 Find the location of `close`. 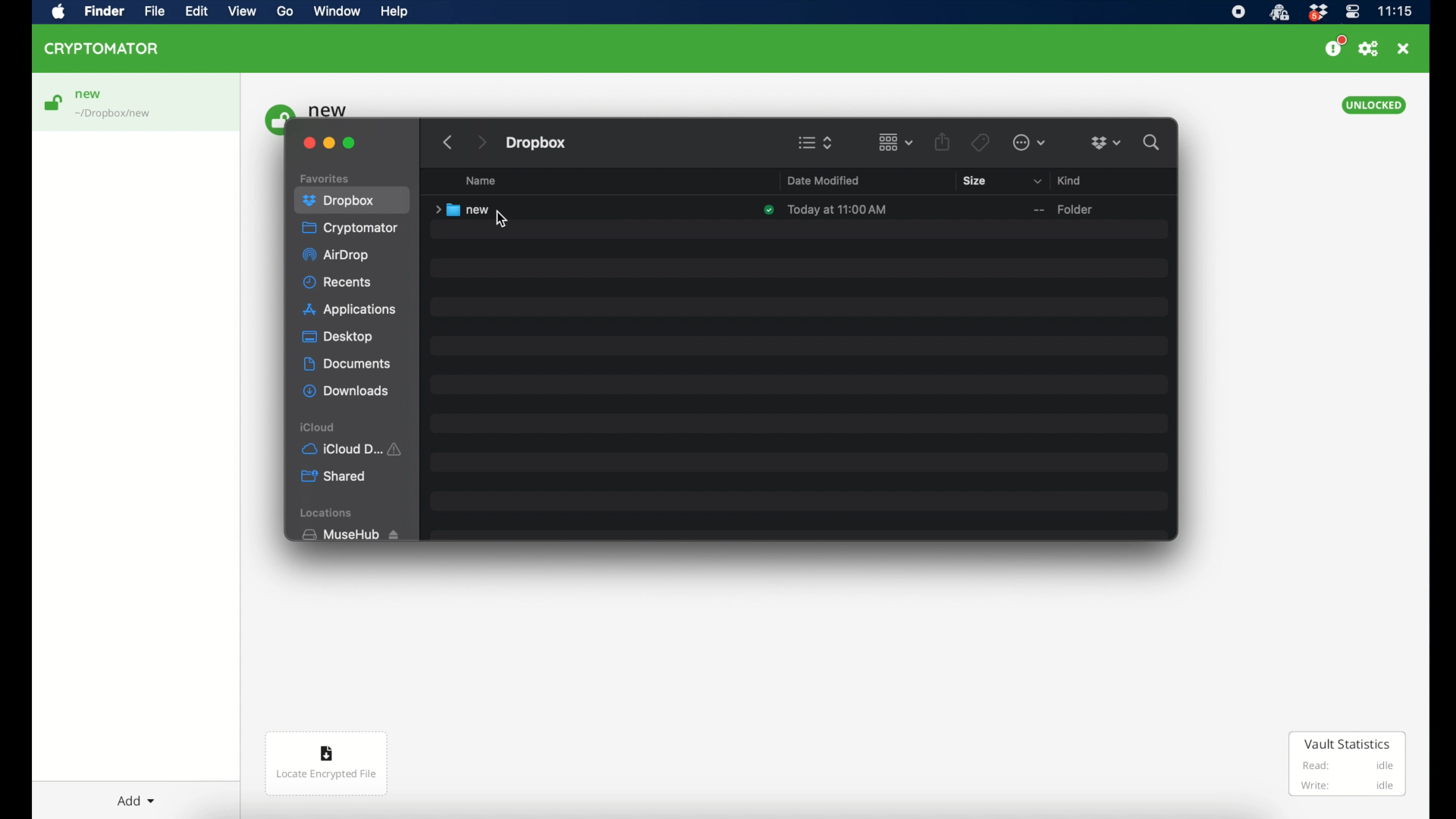

close is located at coordinates (309, 143).